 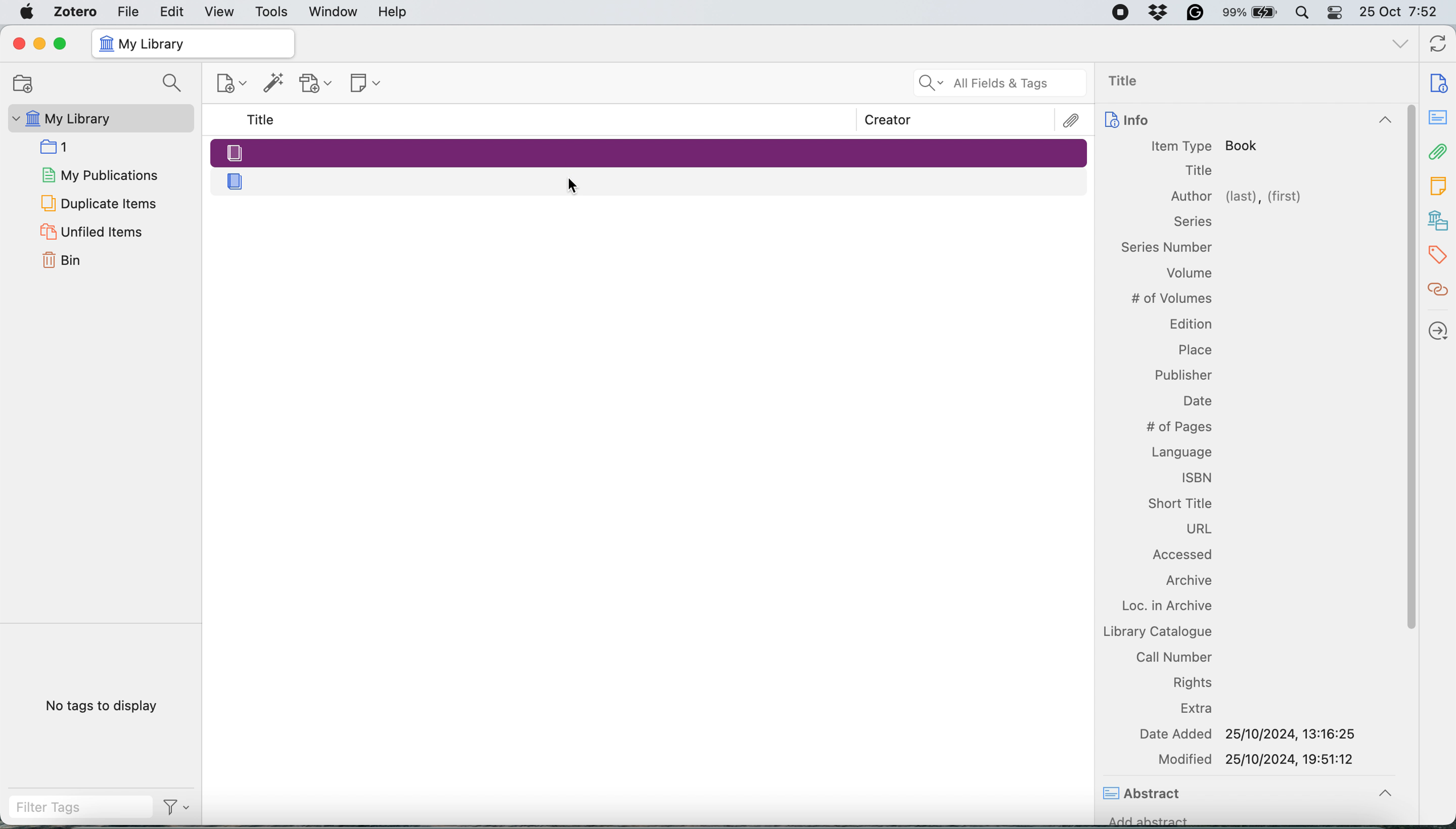 What do you see at coordinates (1156, 631) in the screenshot?
I see `Library Catalogue` at bounding box center [1156, 631].